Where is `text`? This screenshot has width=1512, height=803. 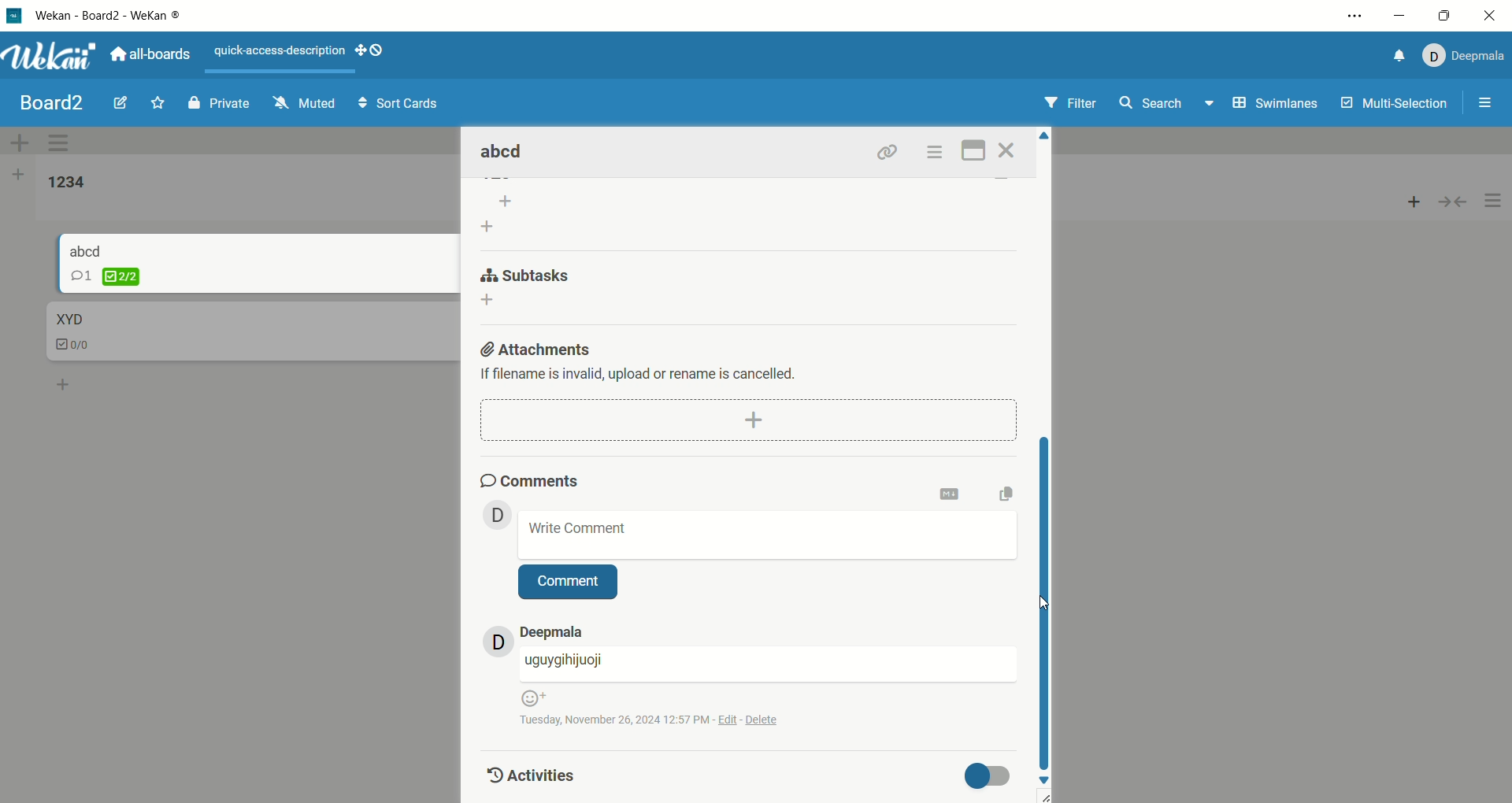 text is located at coordinates (648, 376).